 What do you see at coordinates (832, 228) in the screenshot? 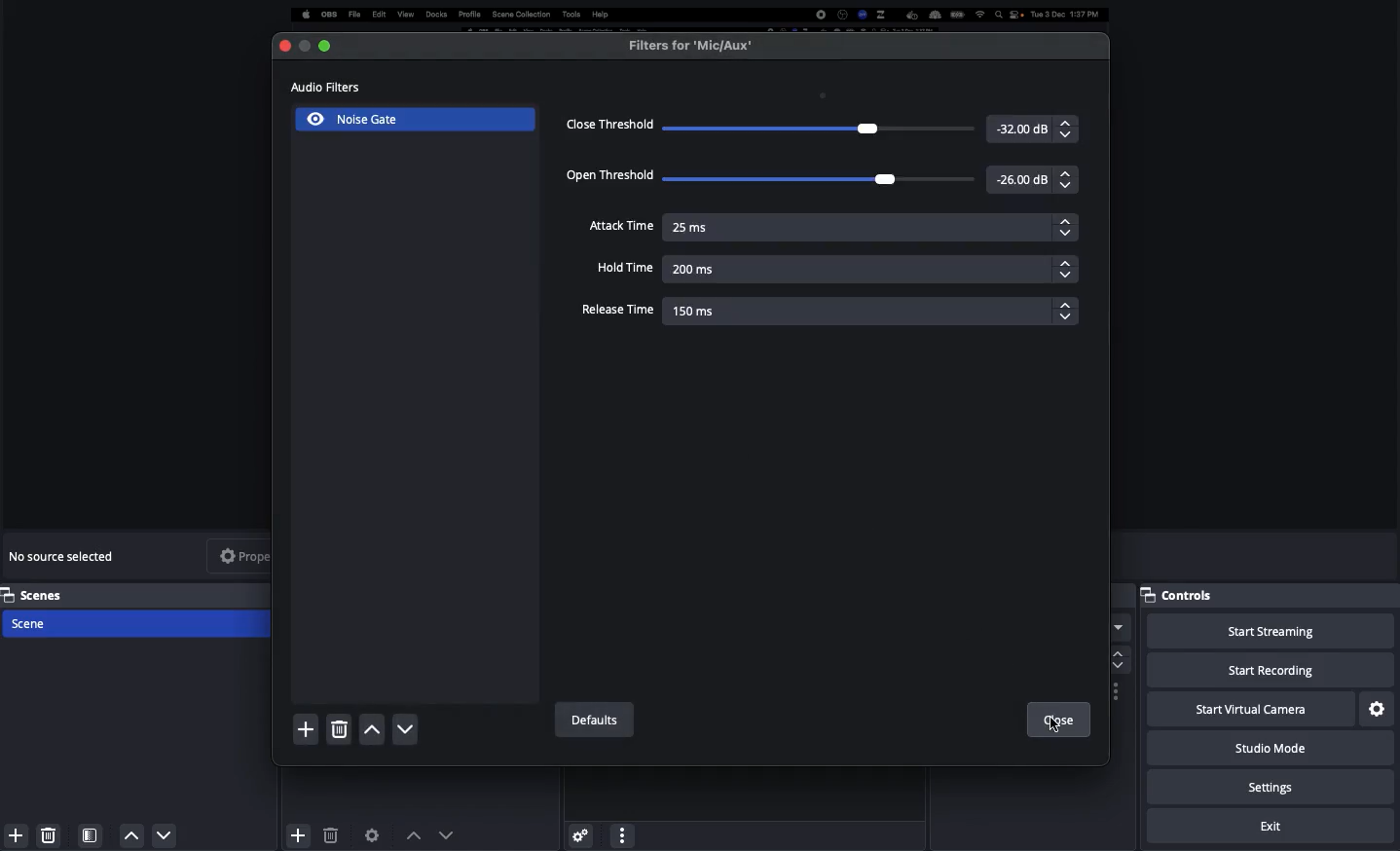
I see `Attack time` at bounding box center [832, 228].